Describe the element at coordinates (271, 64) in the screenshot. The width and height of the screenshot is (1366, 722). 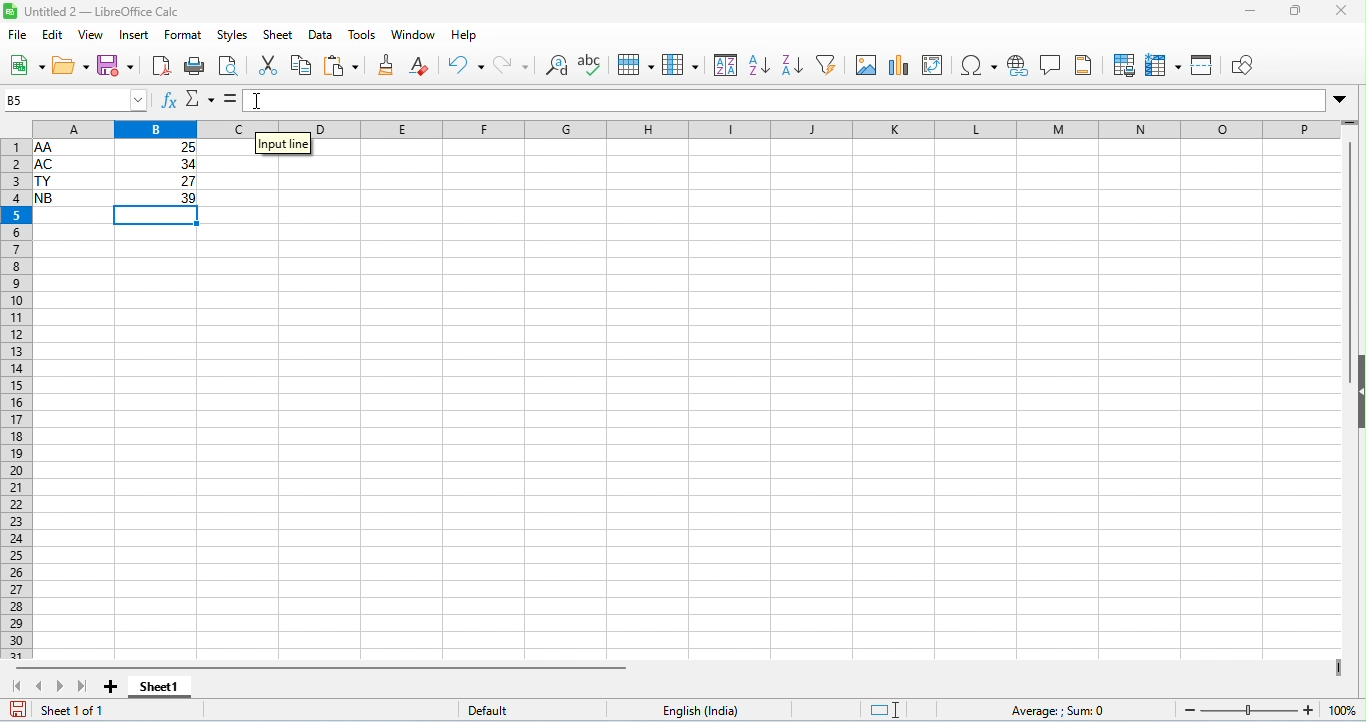
I see `cut` at that location.